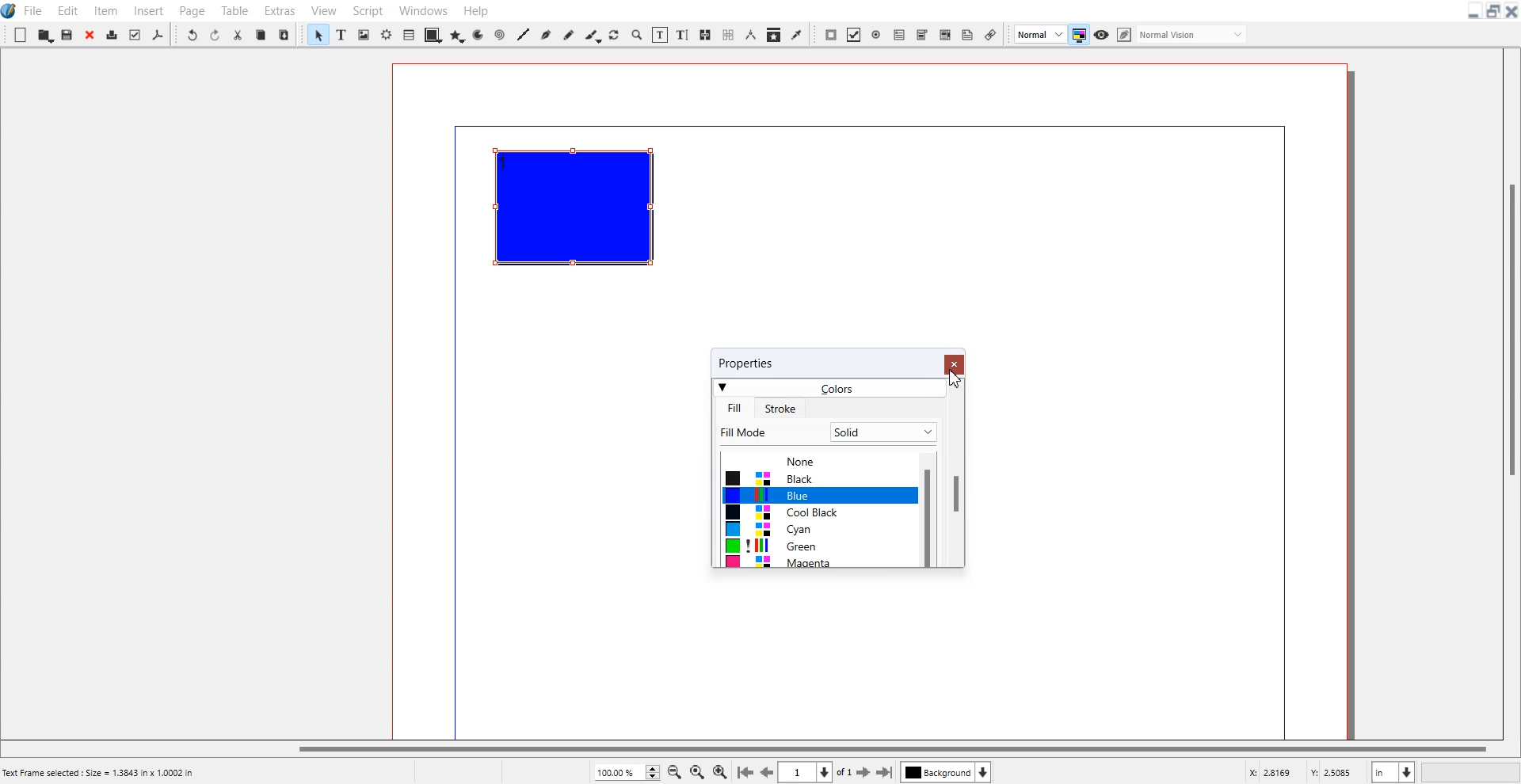 The height and width of the screenshot is (784, 1521). Describe the element at coordinates (990, 33) in the screenshot. I see `Link Annotation` at that location.